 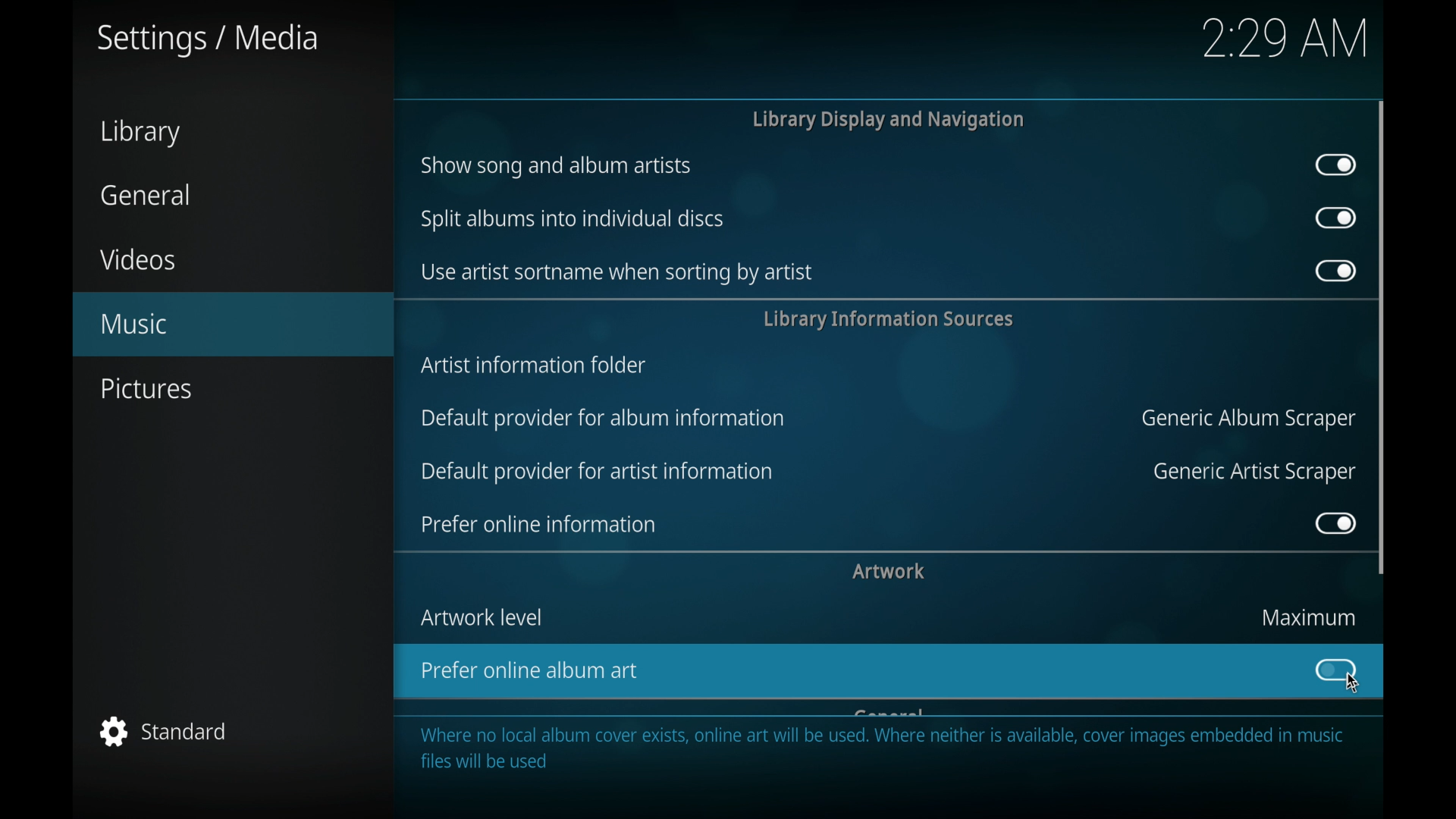 I want to click on scroll box, so click(x=1382, y=337).